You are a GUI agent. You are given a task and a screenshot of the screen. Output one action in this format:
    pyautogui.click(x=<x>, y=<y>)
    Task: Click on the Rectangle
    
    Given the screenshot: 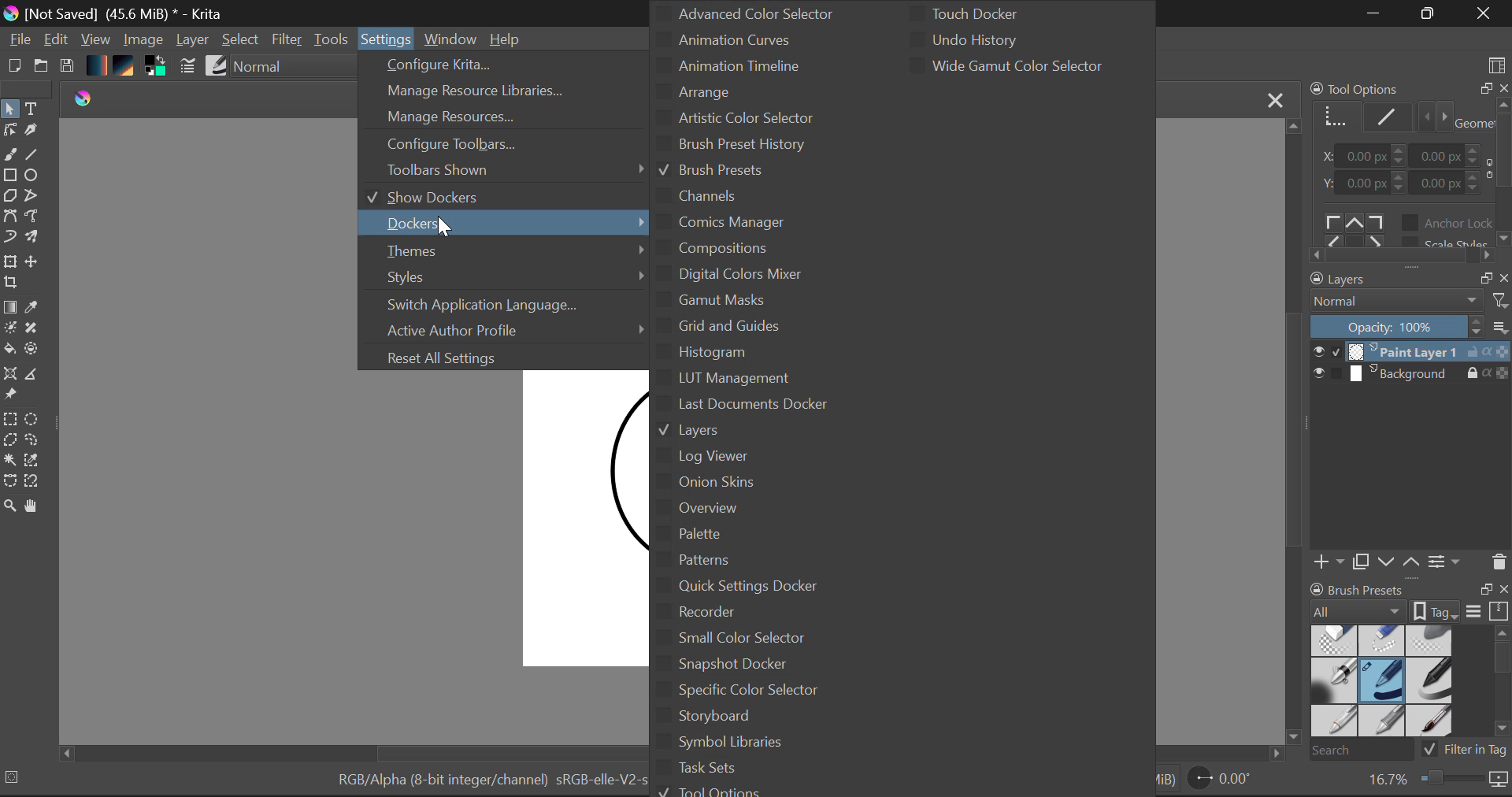 What is the action you would take?
    pyautogui.click(x=9, y=176)
    